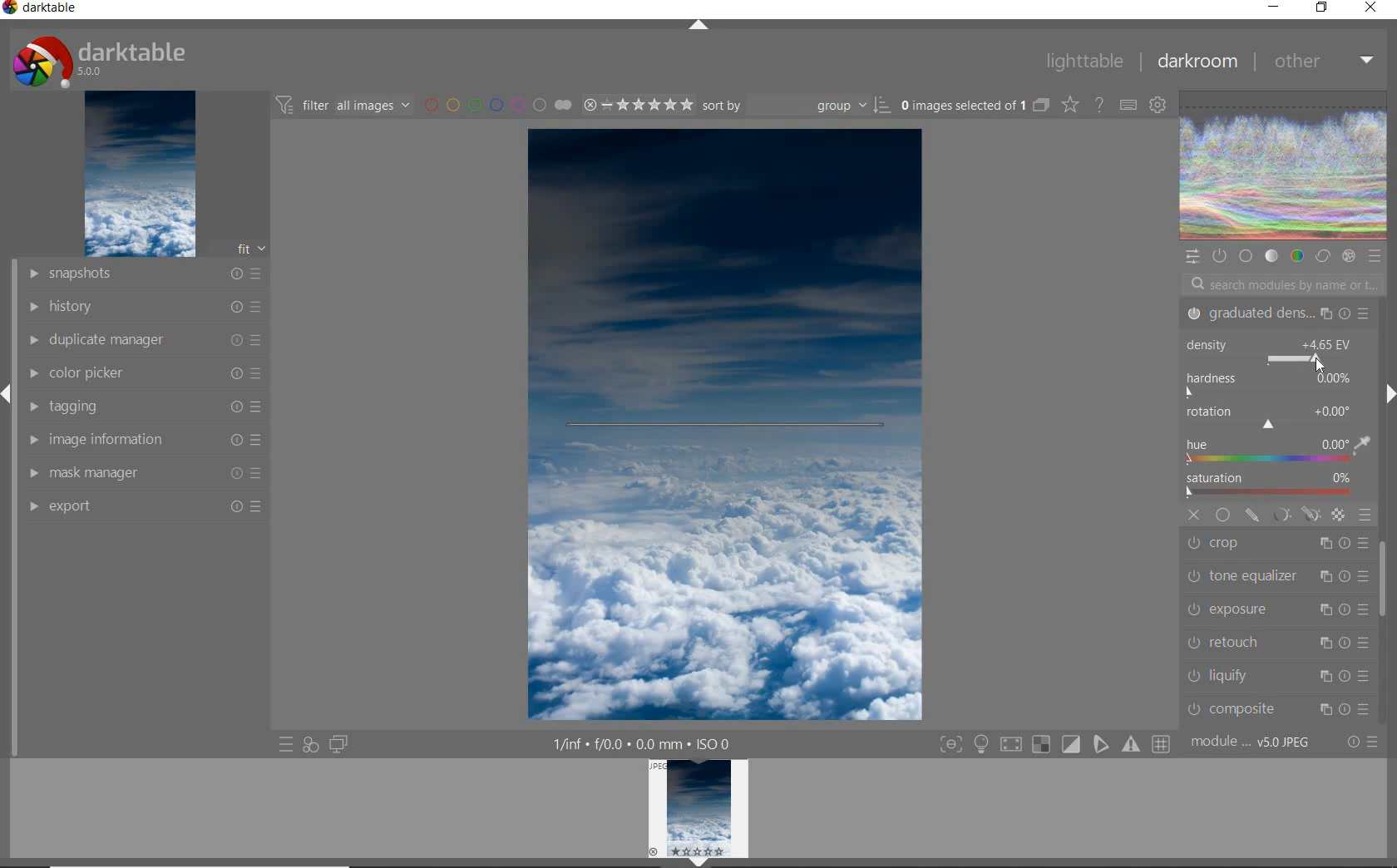 This screenshot has height=868, width=1397. What do you see at coordinates (725, 427) in the screenshot?
I see `DENSITY LINE` at bounding box center [725, 427].